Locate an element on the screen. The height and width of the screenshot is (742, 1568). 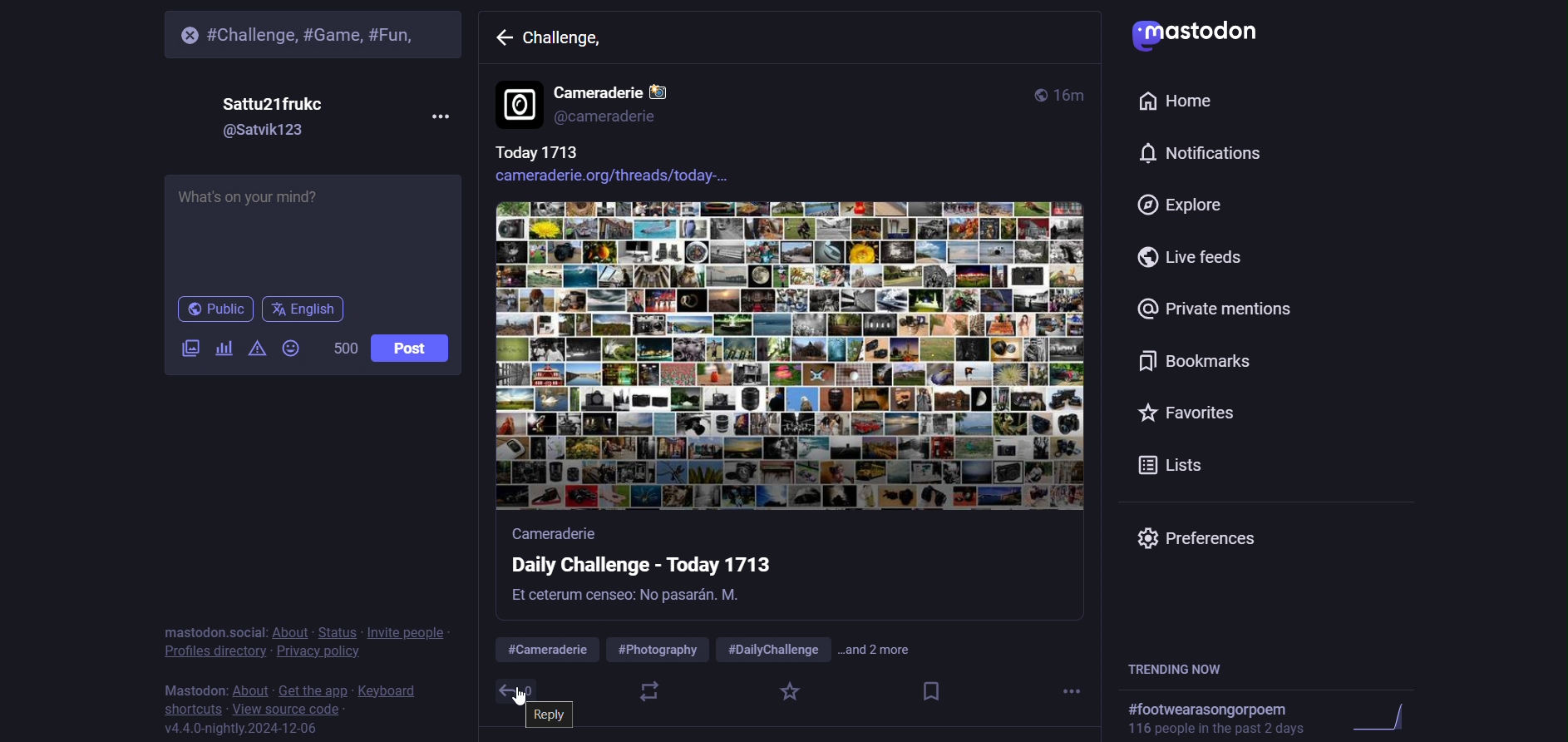
profile dirctory is located at coordinates (214, 651).